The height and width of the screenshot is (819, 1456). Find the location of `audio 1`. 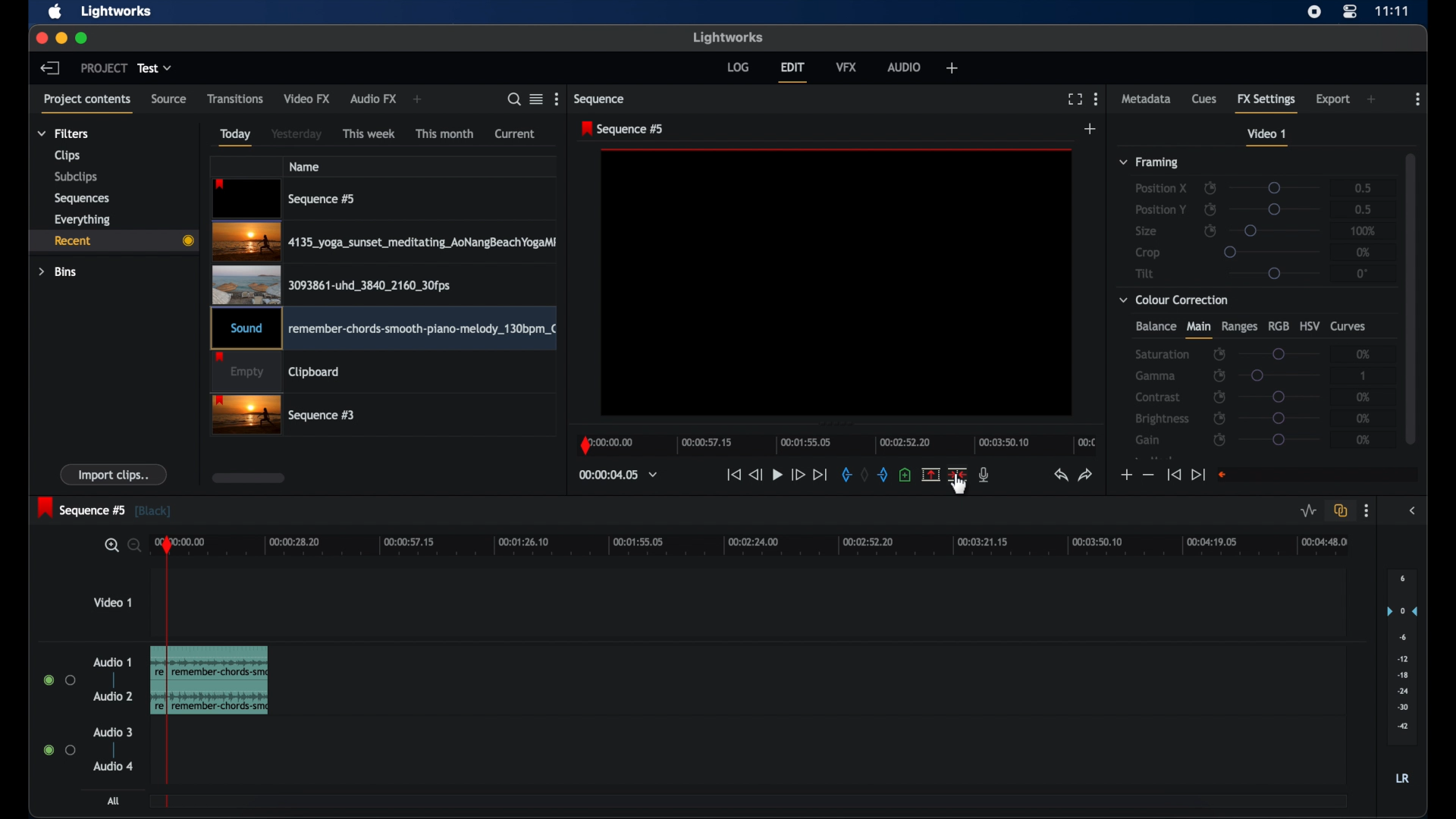

audio 1 is located at coordinates (113, 662).